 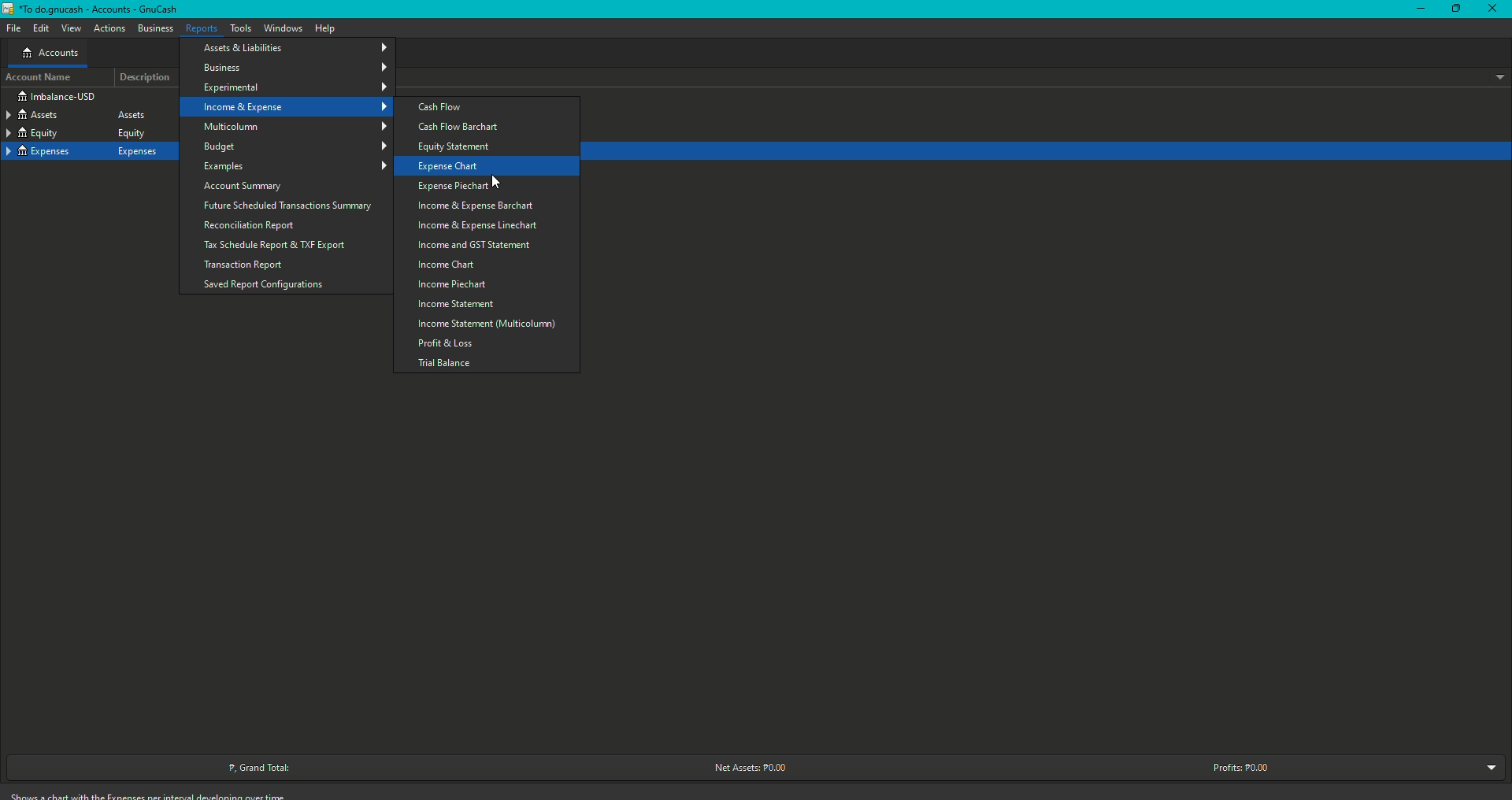 I want to click on Grand Total, so click(x=266, y=766).